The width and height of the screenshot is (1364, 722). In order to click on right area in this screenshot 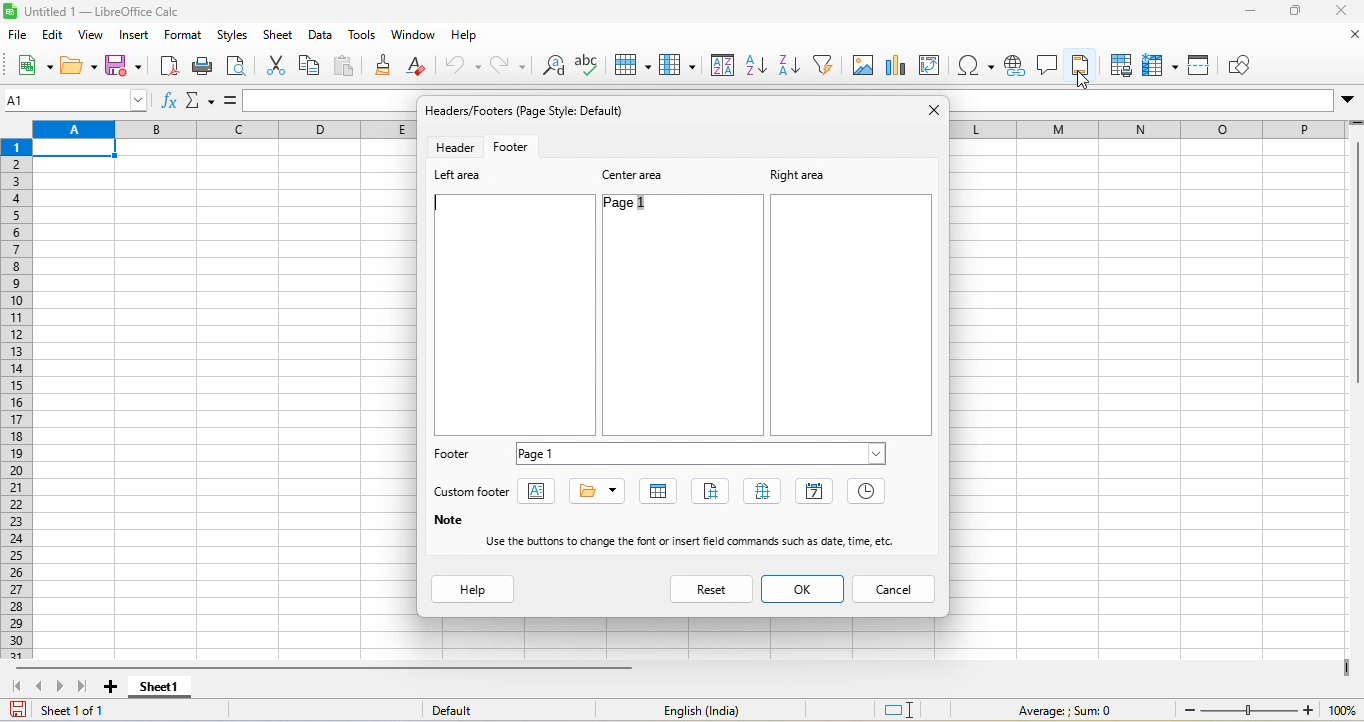, I will do `click(796, 174)`.